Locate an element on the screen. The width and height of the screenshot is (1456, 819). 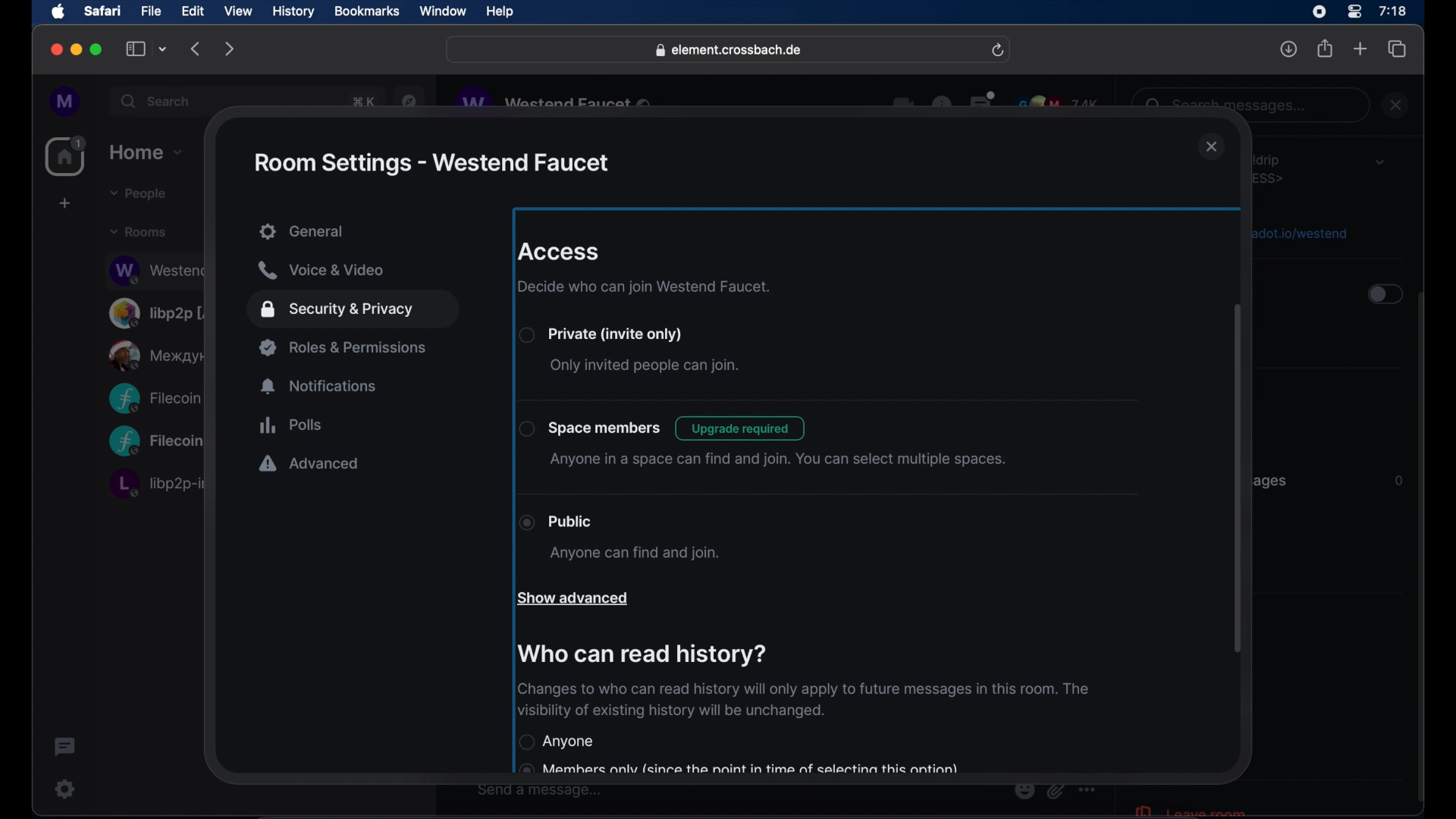
scroll bar is located at coordinates (1235, 479).